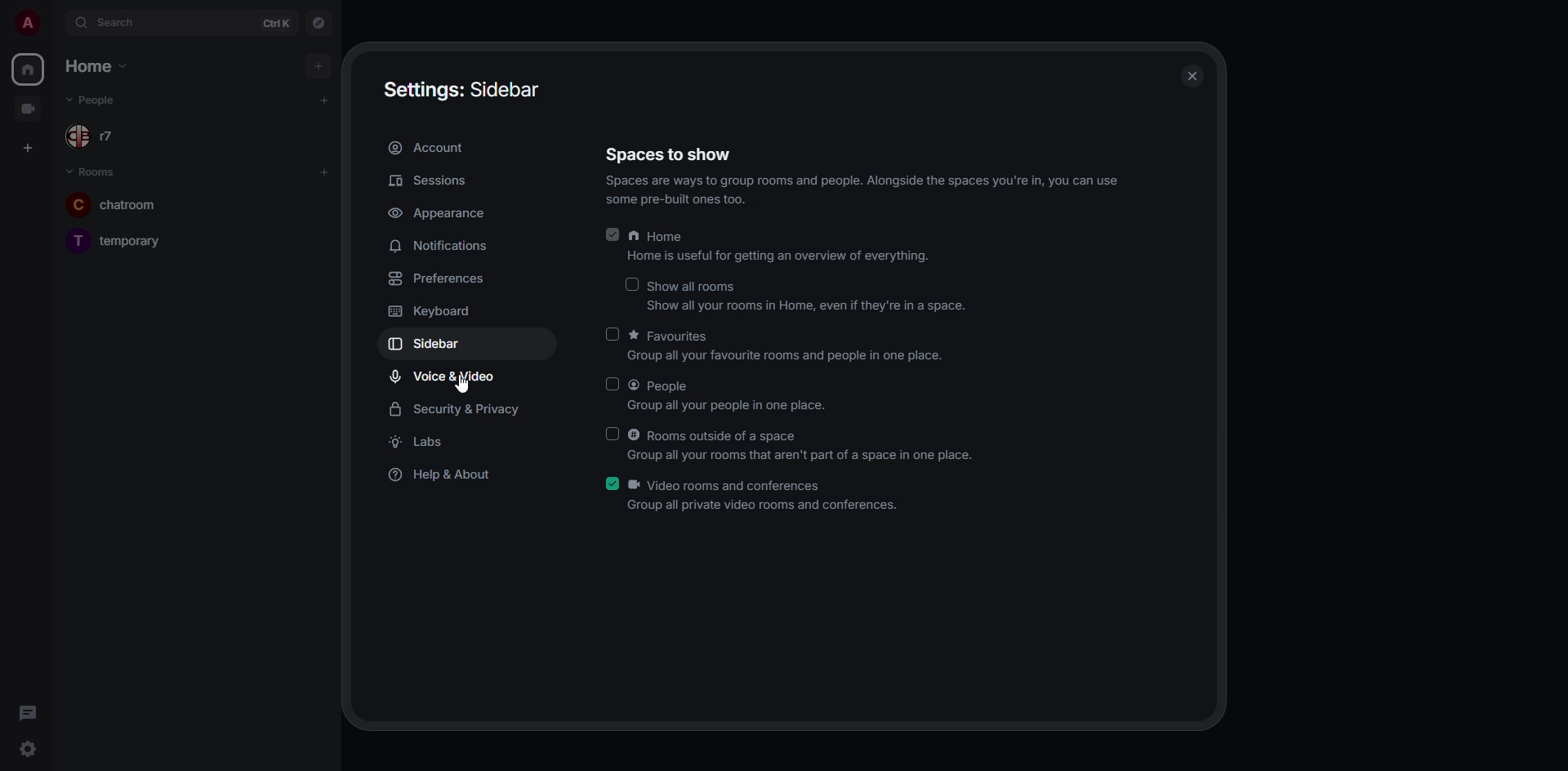 Image resolution: width=1568 pixels, height=771 pixels. Describe the element at coordinates (612, 333) in the screenshot. I see `click to enable` at that location.